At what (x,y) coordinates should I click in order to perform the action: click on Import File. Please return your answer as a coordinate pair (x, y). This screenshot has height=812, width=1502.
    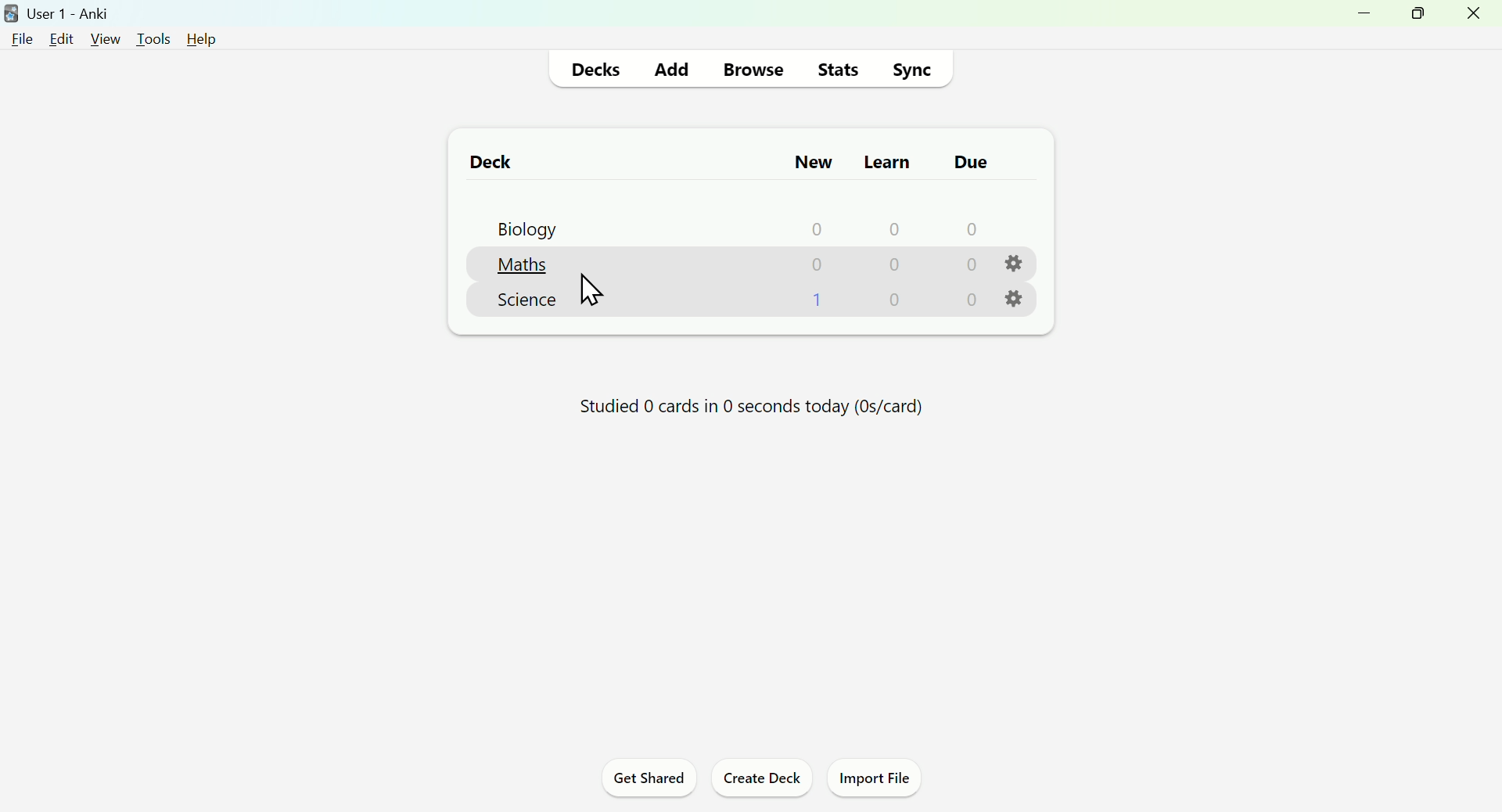
    Looking at the image, I should click on (873, 780).